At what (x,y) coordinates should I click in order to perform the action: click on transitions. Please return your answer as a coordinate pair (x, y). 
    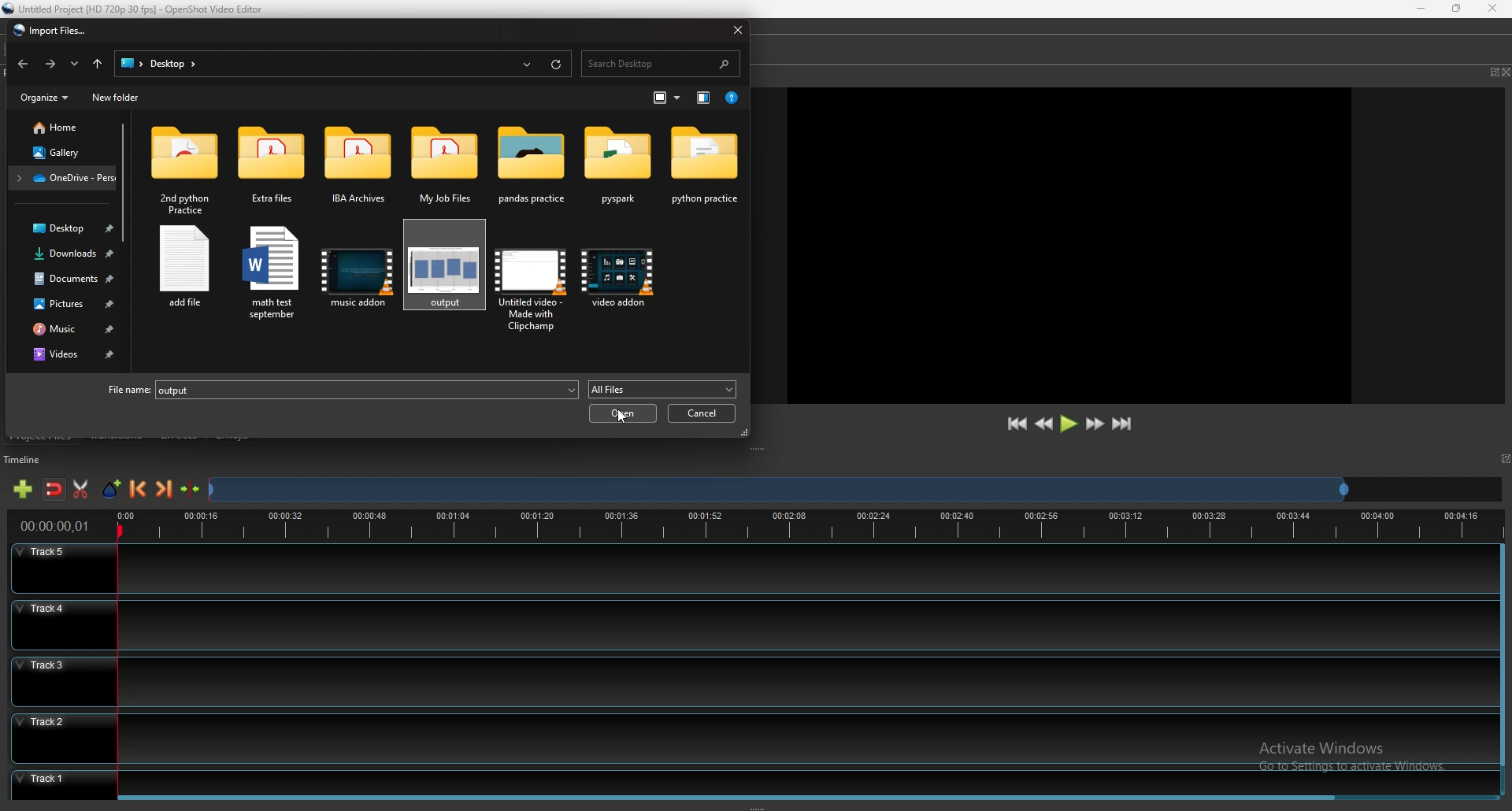
    Looking at the image, I should click on (117, 435).